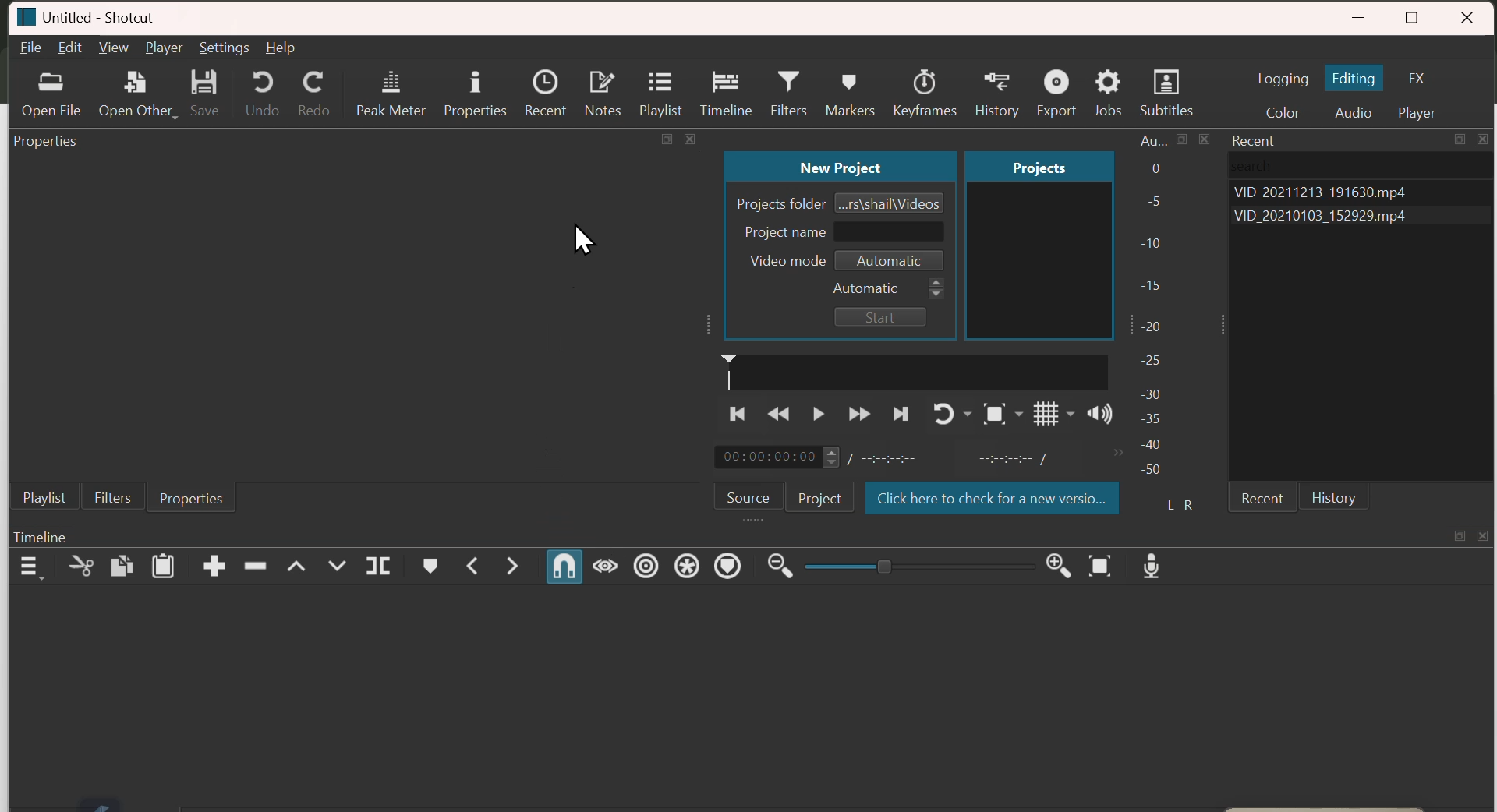 This screenshot has width=1497, height=812. What do you see at coordinates (689, 139) in the screenshot?
I see `Close` at bounding box center [689, 139].